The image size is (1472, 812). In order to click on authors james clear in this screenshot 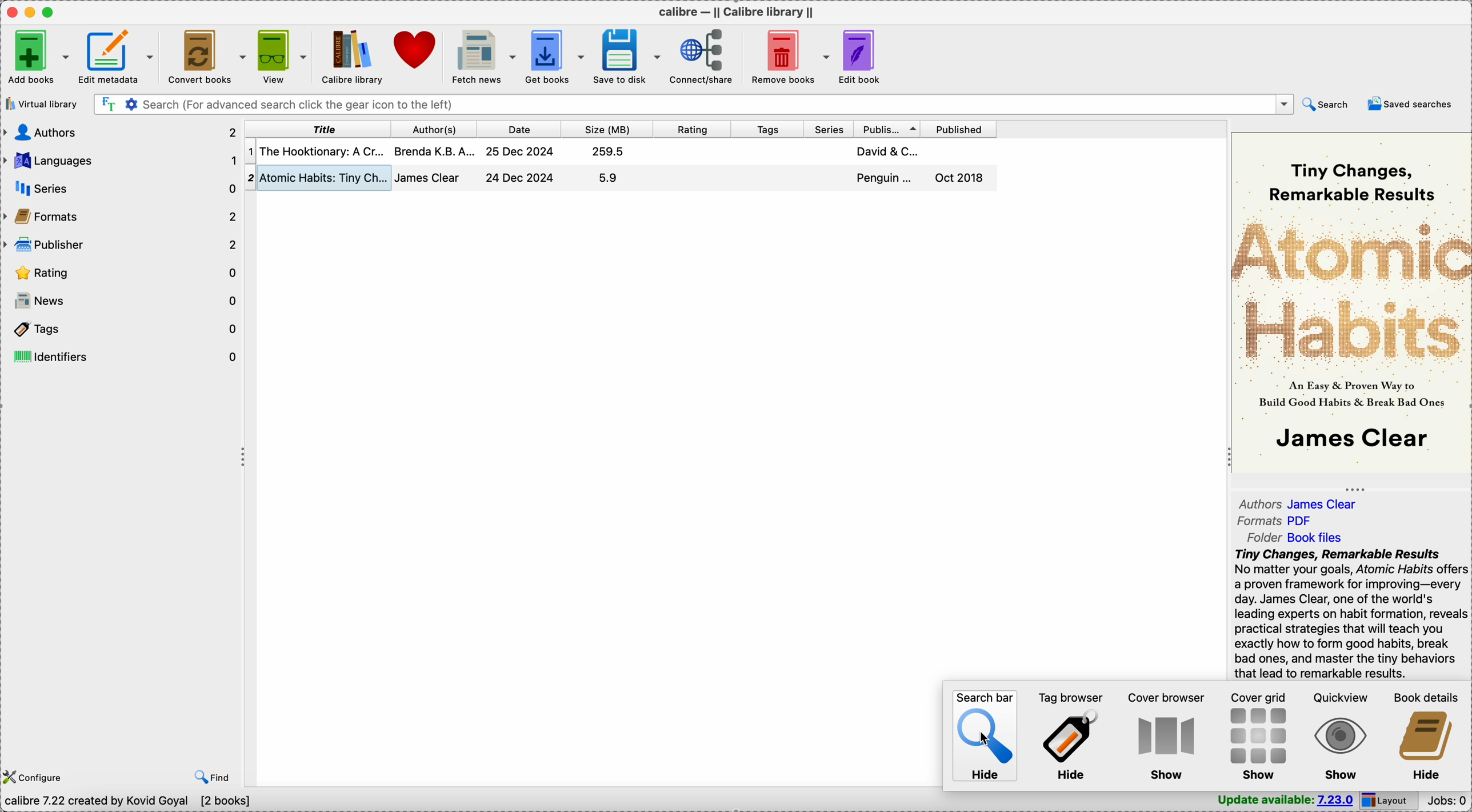, I will do `click(1298, 503)`.